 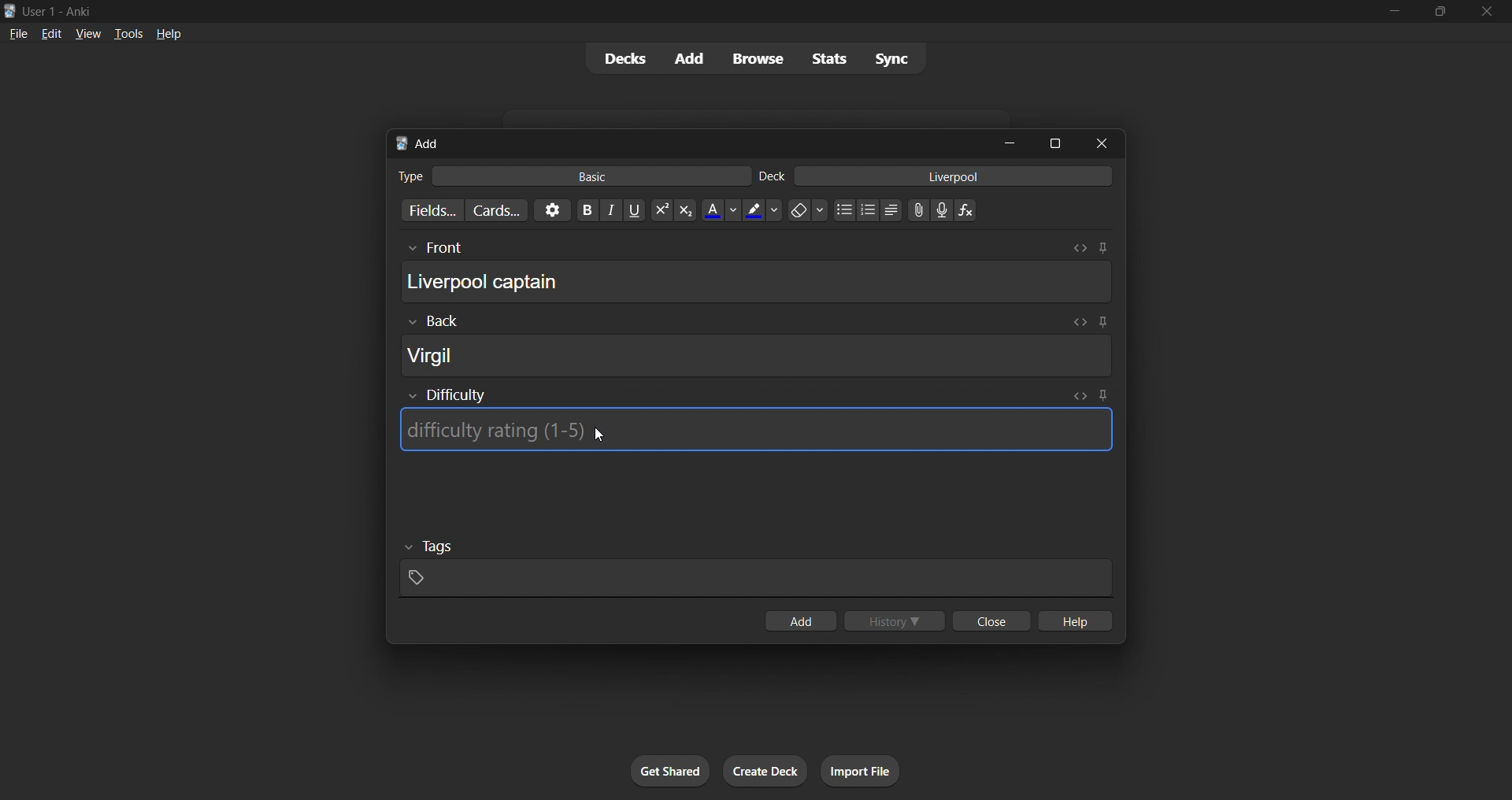 What do you see at coordinates (623, 59) in the screenshot?
I see `decks` at bounding box center [623, 59].